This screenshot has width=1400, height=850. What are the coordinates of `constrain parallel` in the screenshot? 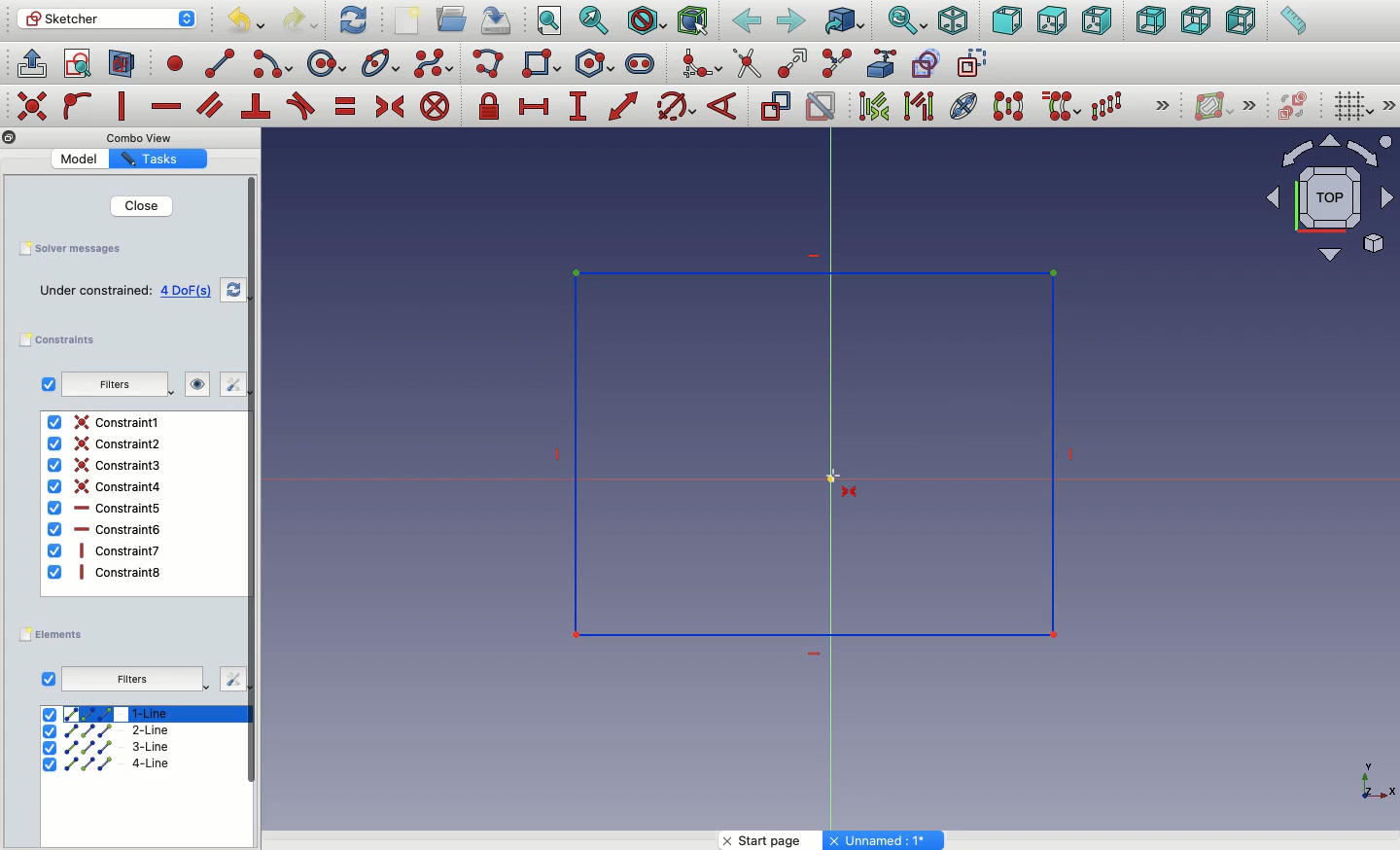 It's located at (211, 105).